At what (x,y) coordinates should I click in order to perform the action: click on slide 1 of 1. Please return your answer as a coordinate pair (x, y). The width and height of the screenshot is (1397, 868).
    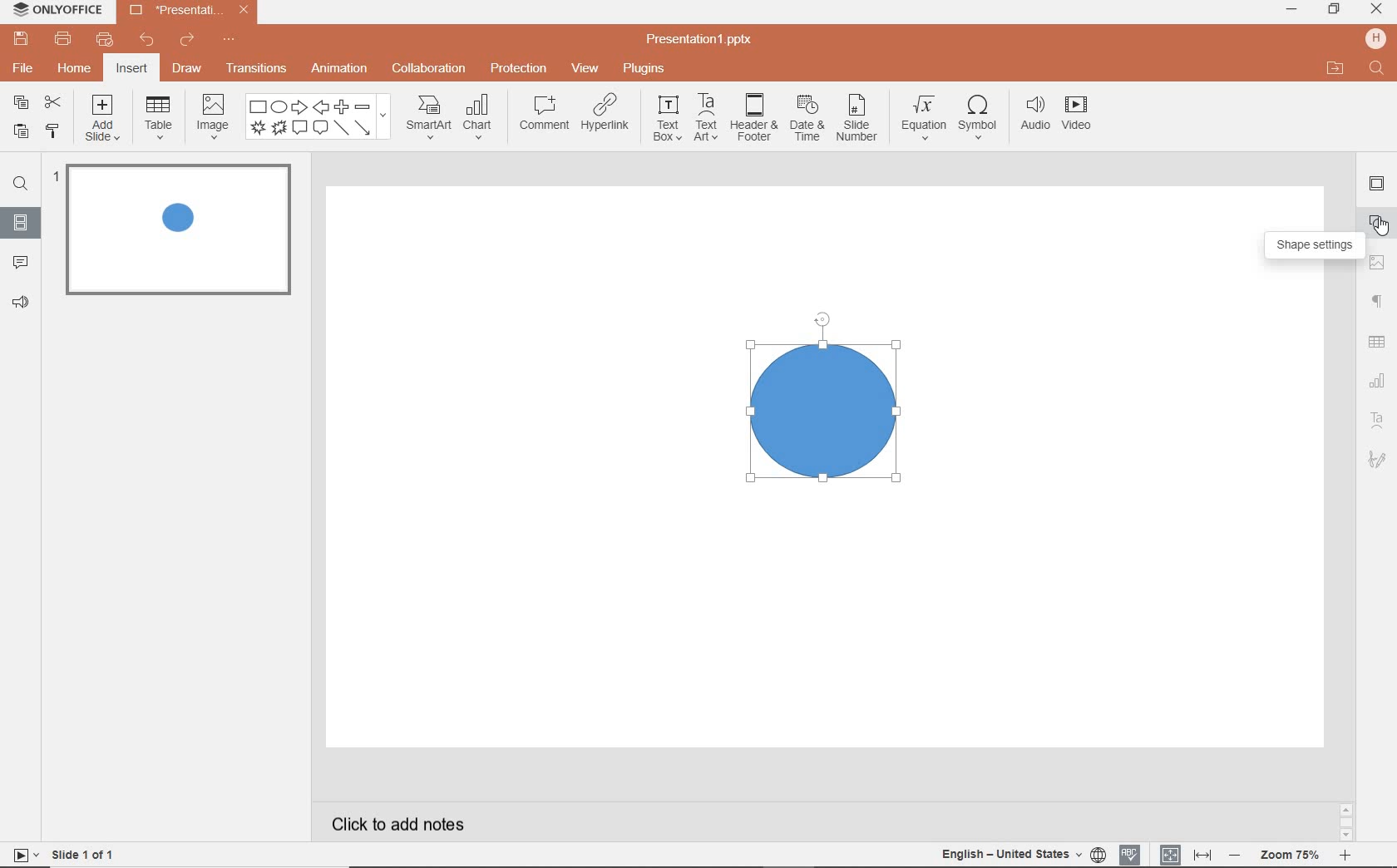
    Looking at the image, I should click on (84, 853).